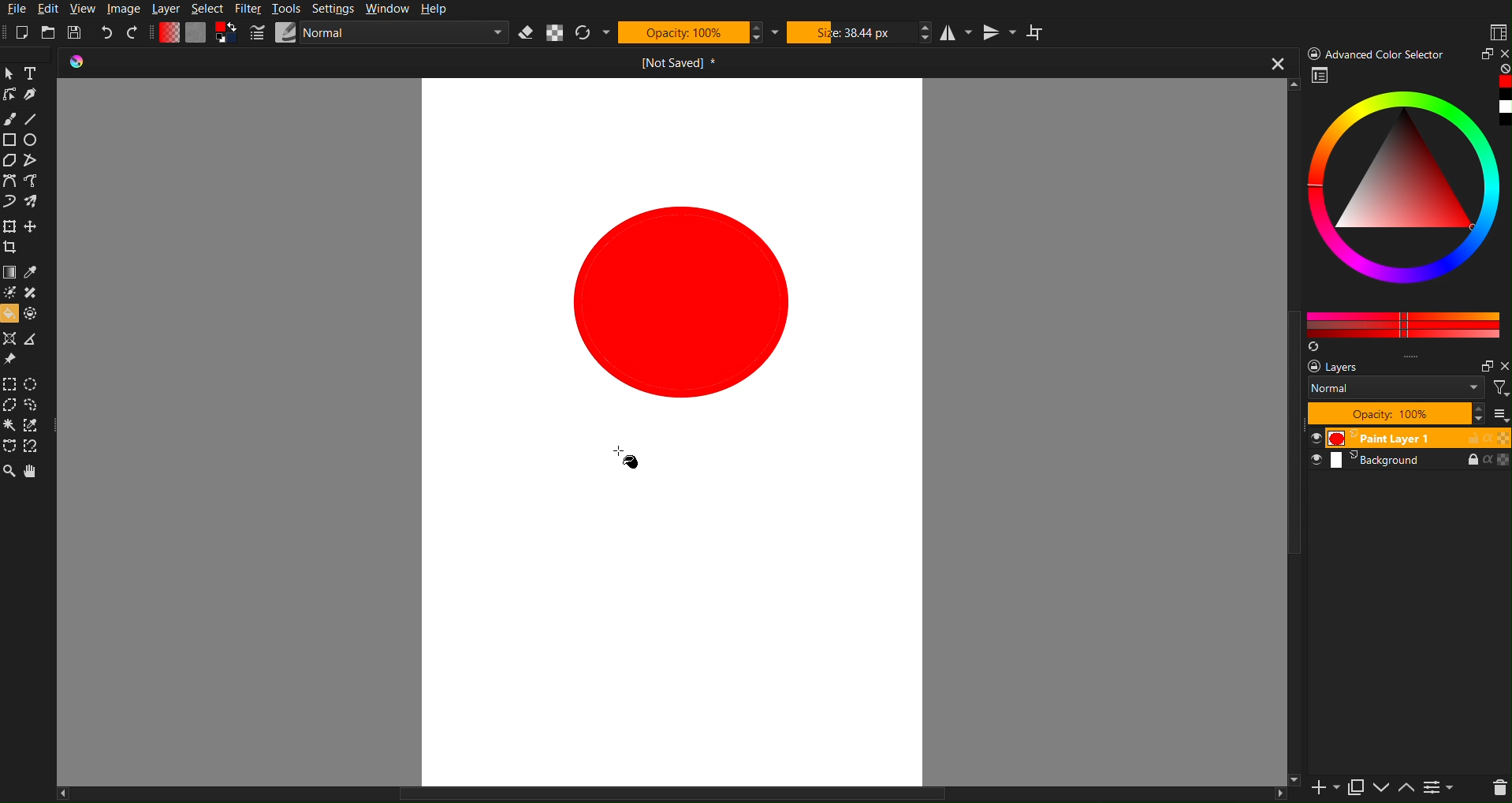 This screenshot has height=803, width=1512. I want to click on Curve, so click(227, 32).